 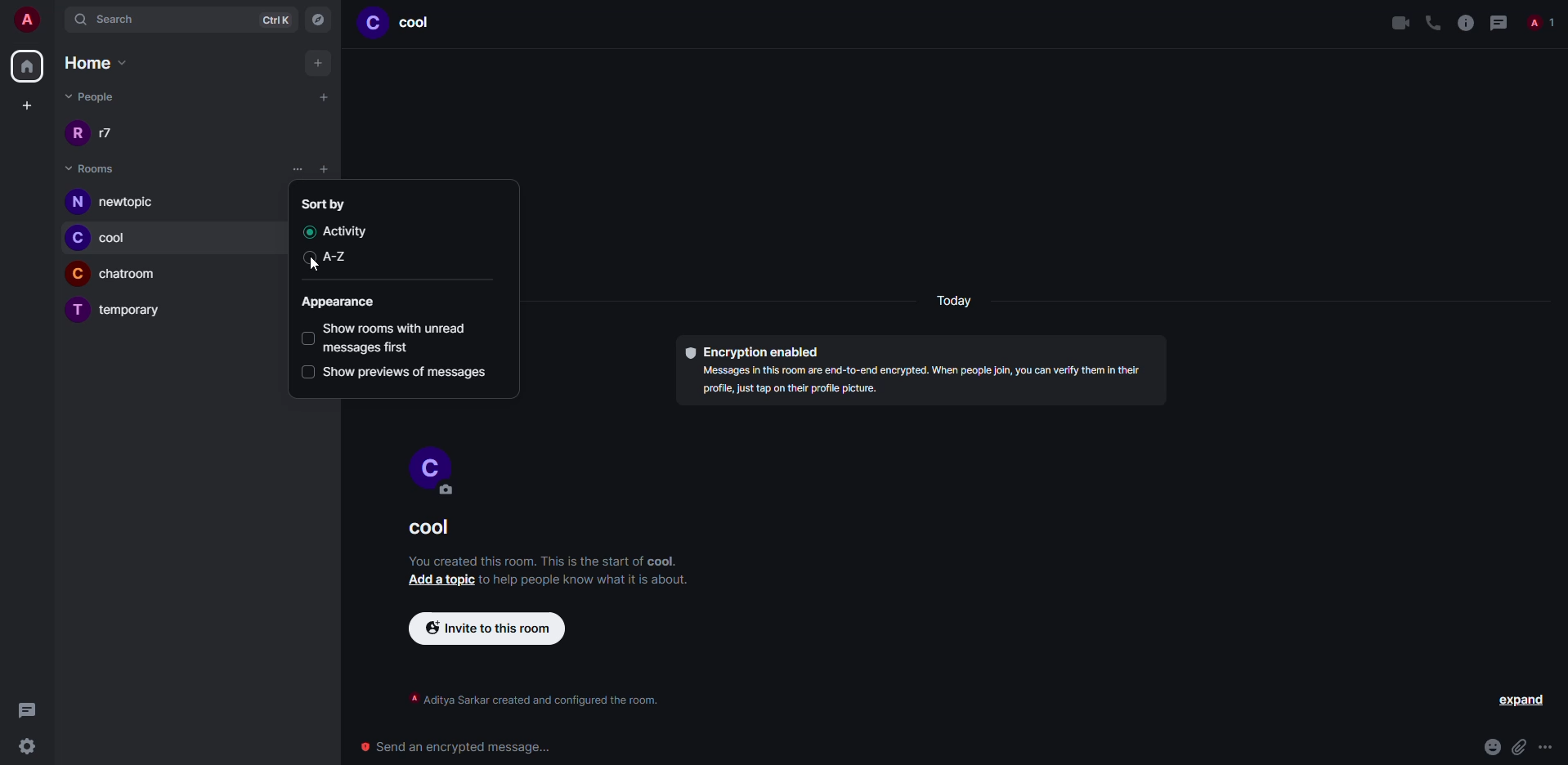 What do you see at coordinates (76, 311) in the screenshot?
I see `profile` at bounding box center [76, 311].